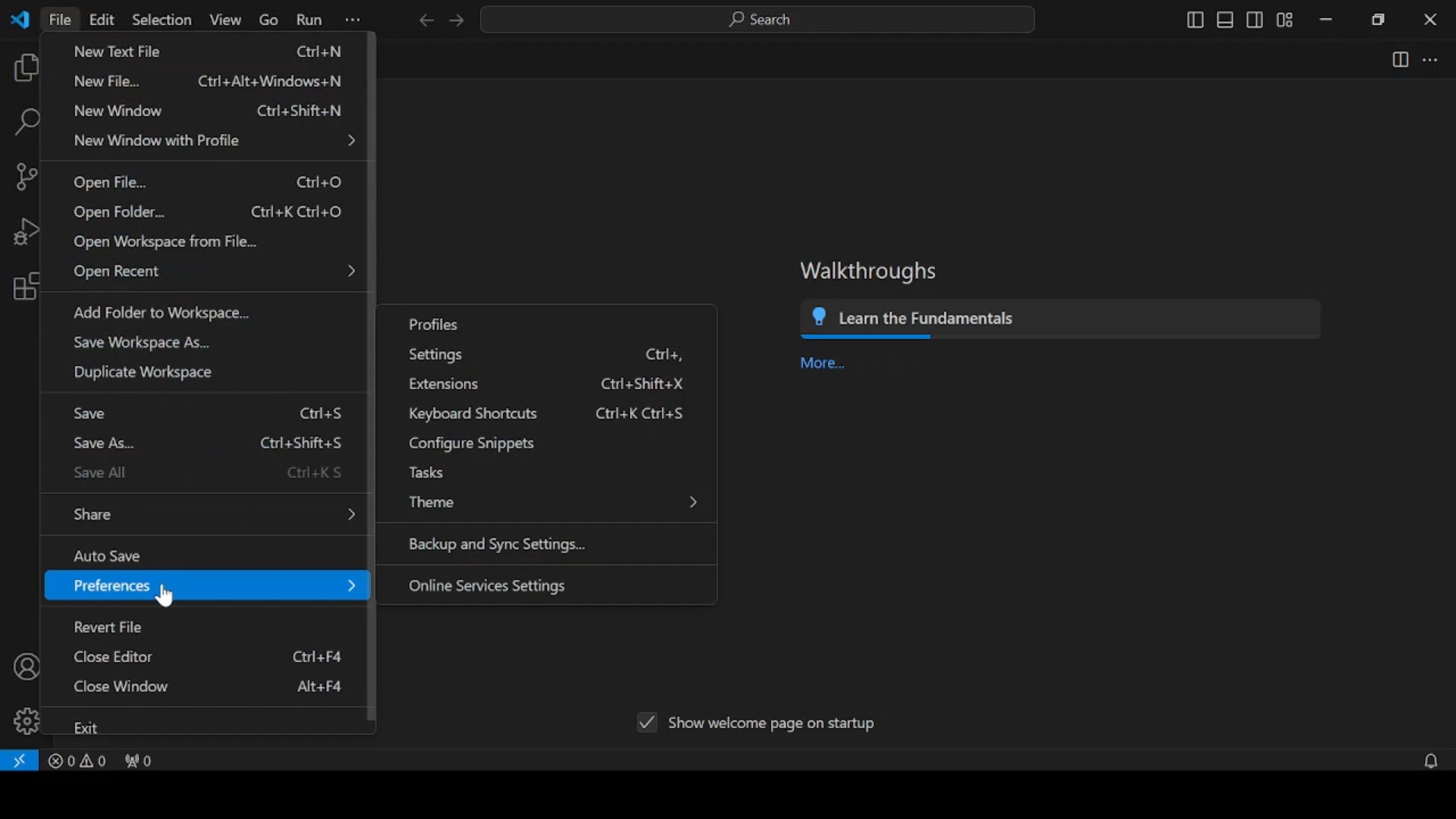 The image size is (1456, 819). I want to click on close window, so click(123, 686).